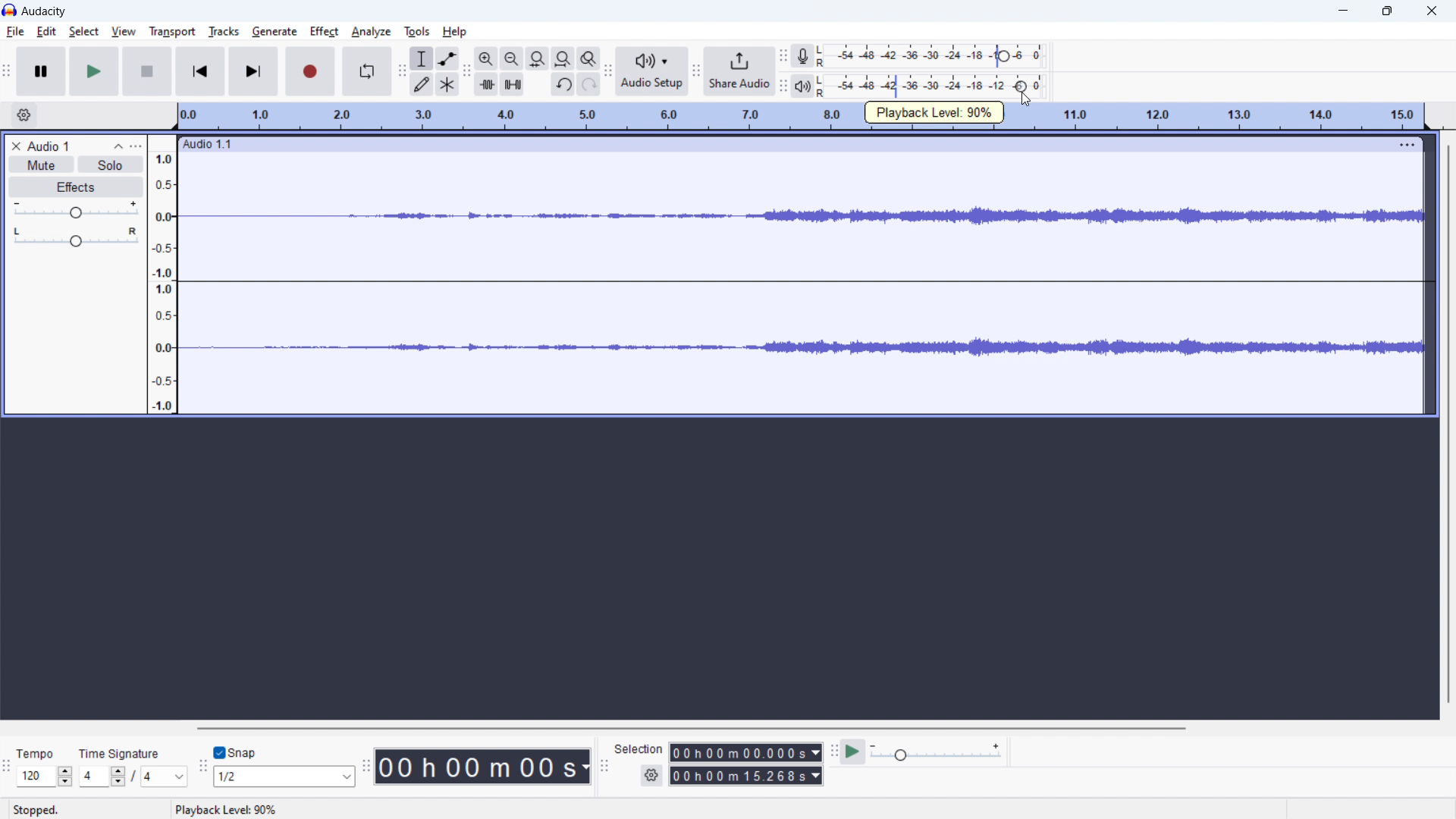 The width and height of the screenshot is (1456, 819). I want to click on effects, so click(75, 186).